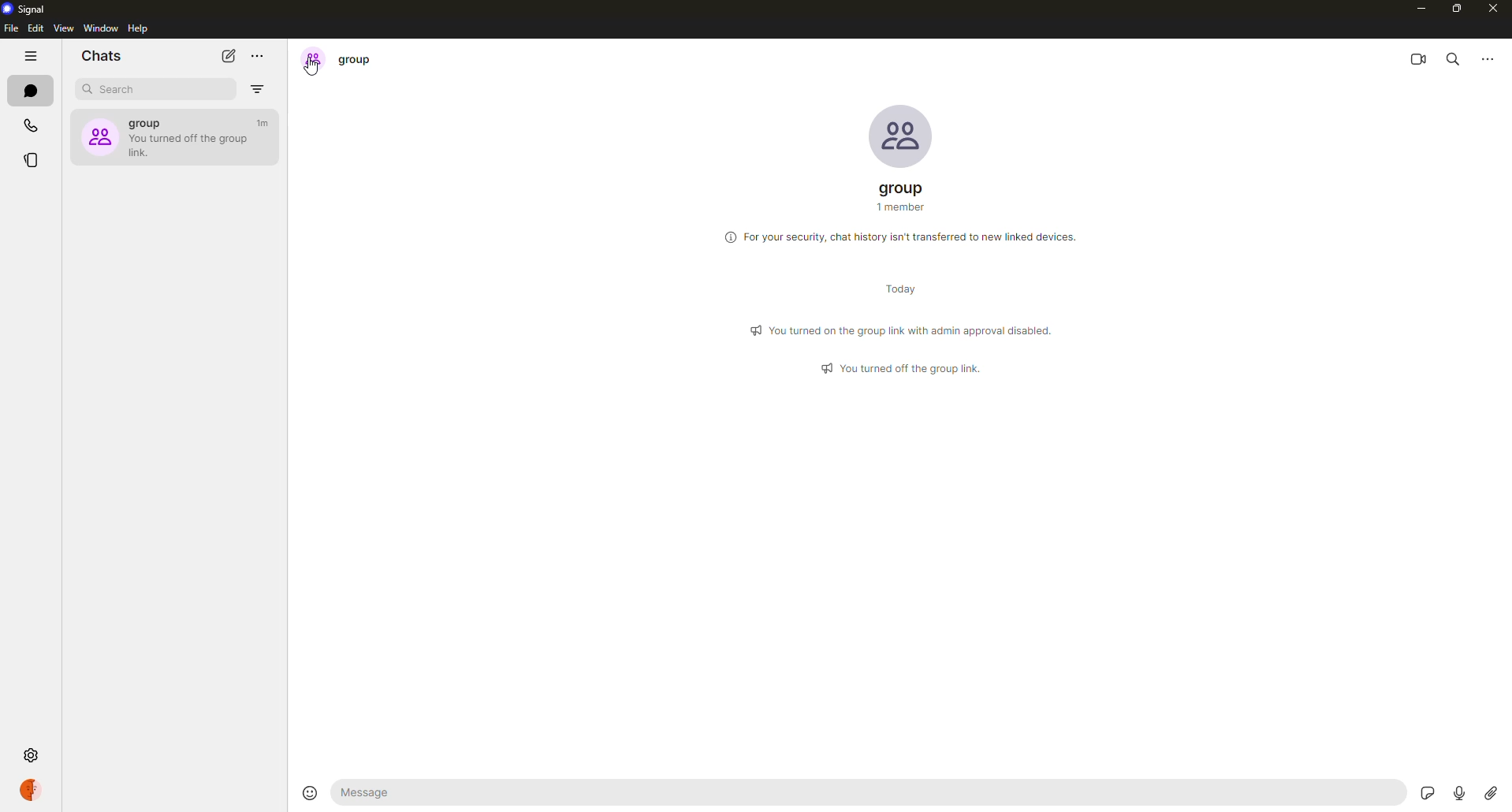 The width and height of the screenshot is (1512, 812). What do you see at coordinates (34, 790) in the screenshot?
I see `profile` at bounding box center [34, 790].